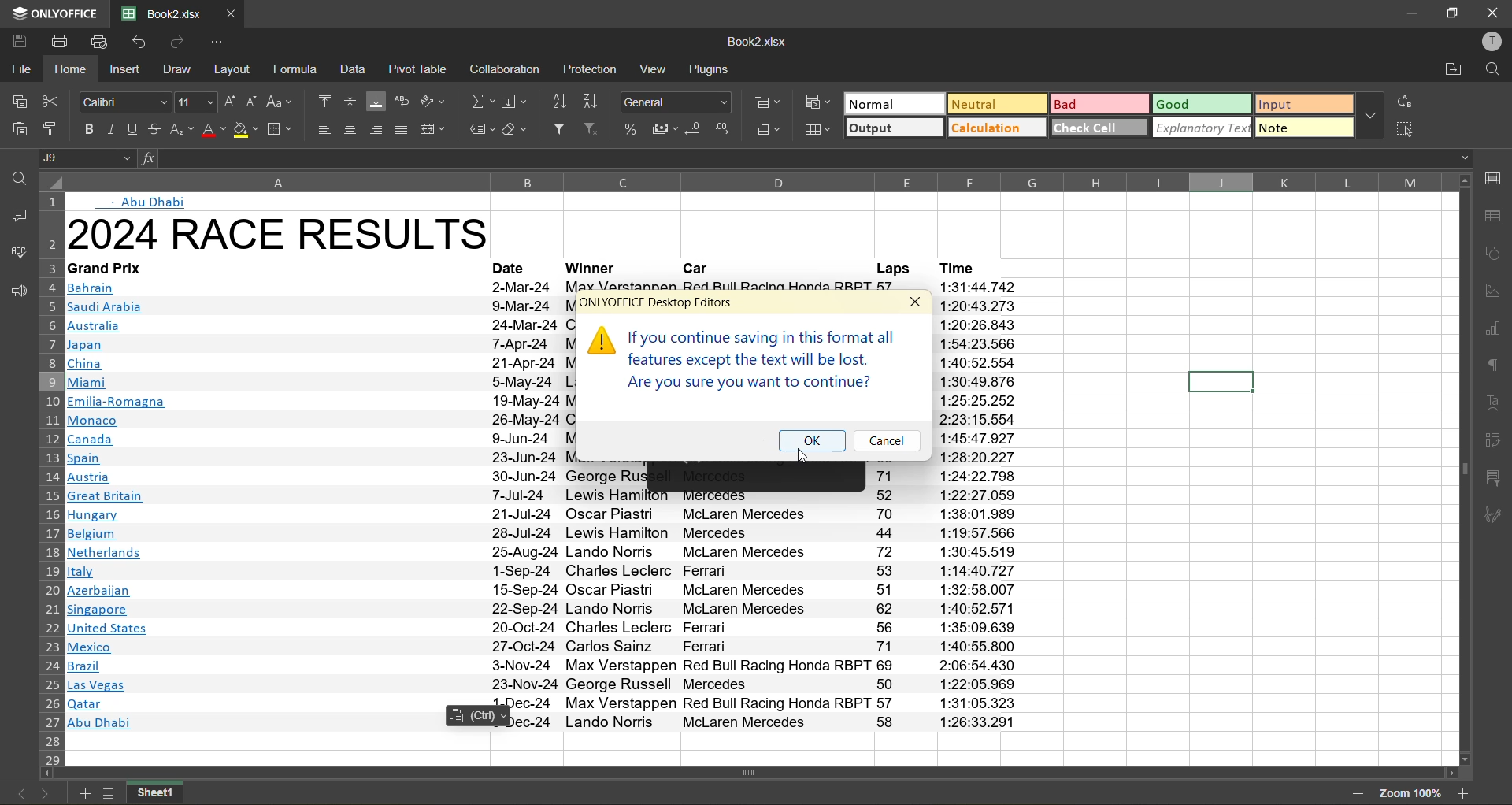  I want to click on protection, so click(592, 70).